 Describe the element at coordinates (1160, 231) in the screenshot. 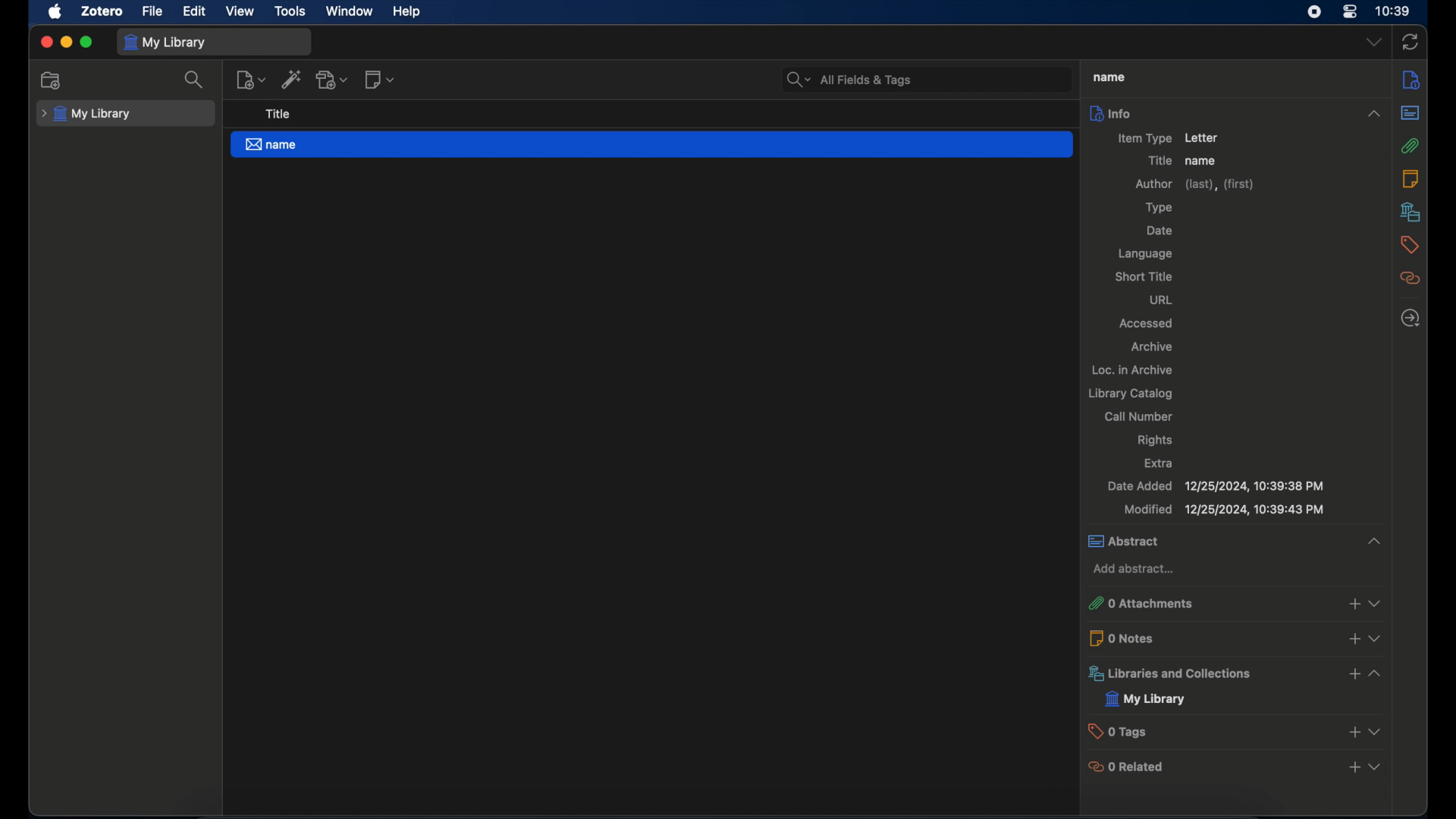

I see `date` at that location.